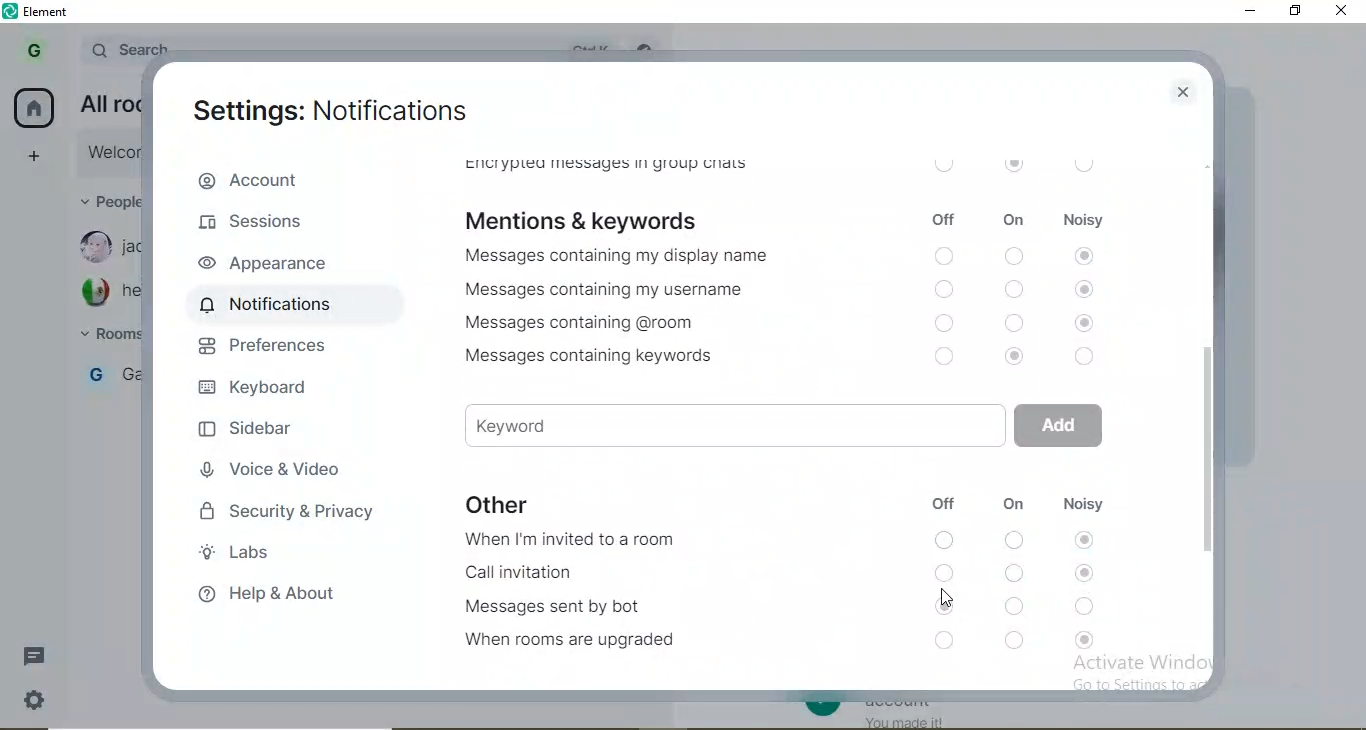 The height and width of the screenshot is (730, 1366). What do you see at coordinates (947, 294) in the screenshot?
I see `switch off` at bounding box center [947, 294].